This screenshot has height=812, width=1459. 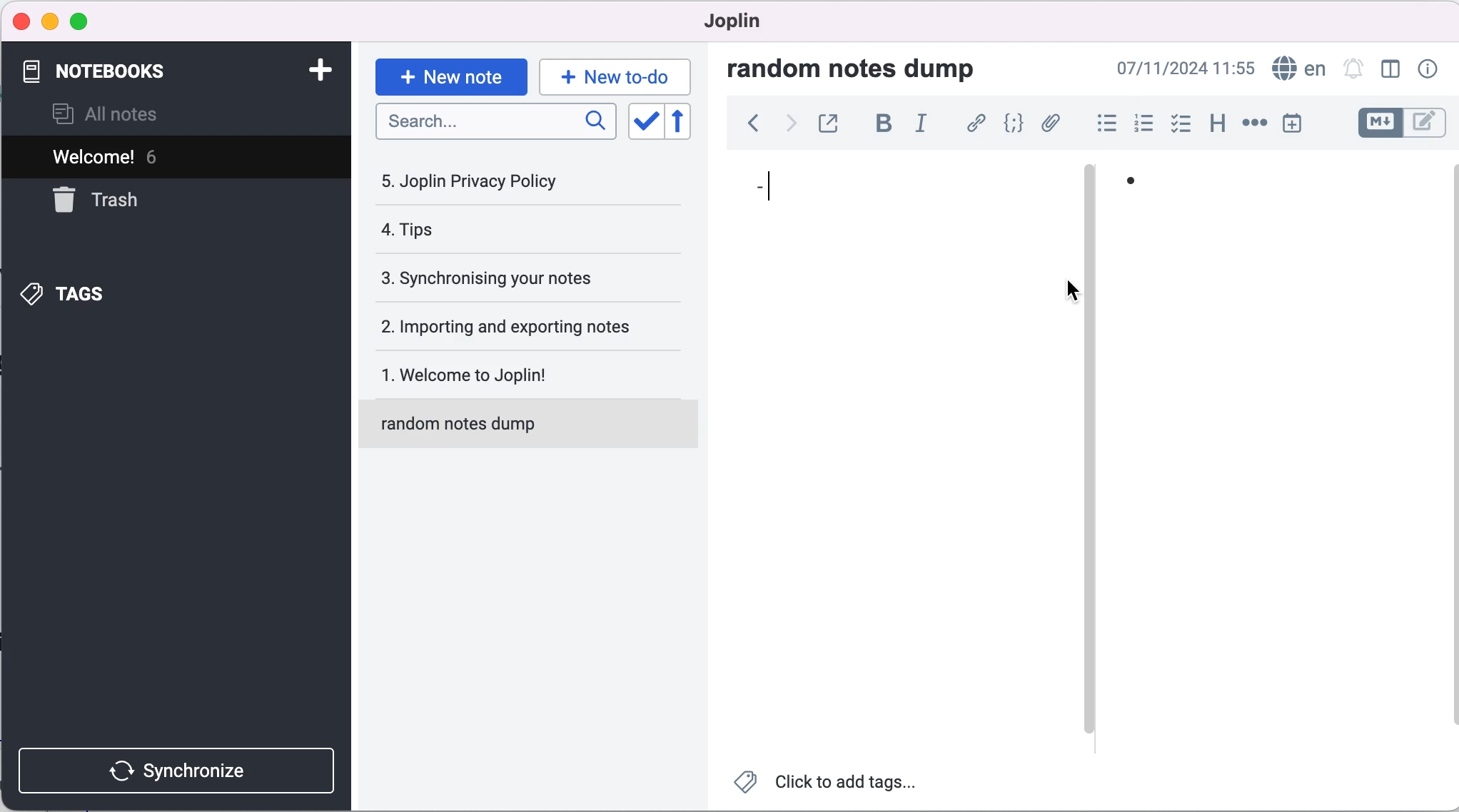 What do you see at coordinates (450, 75) in the screenshot?
I see `new note` at bounding box center [450, 75].